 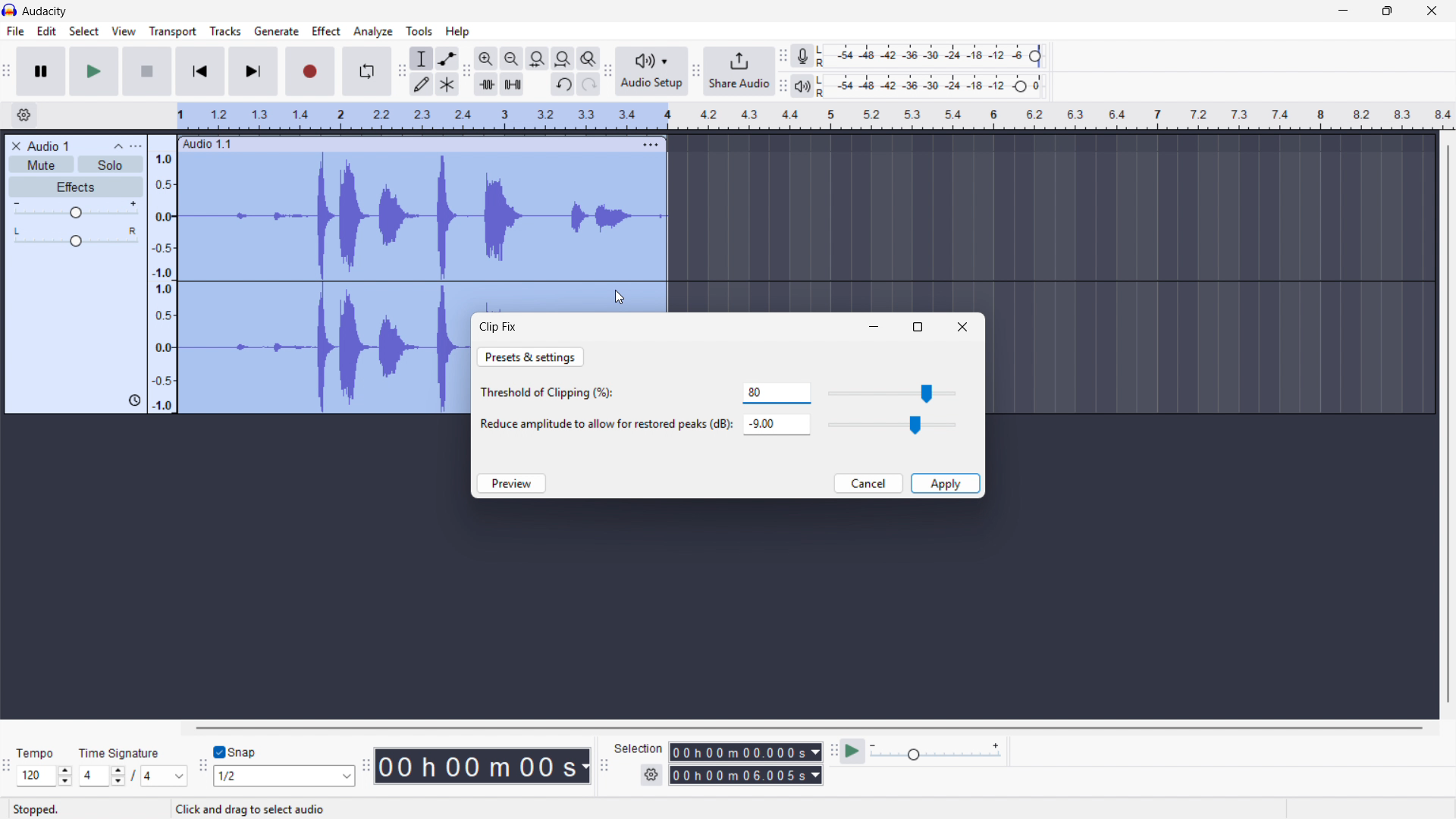 I want to click on redo, so click(x=588, y=85).